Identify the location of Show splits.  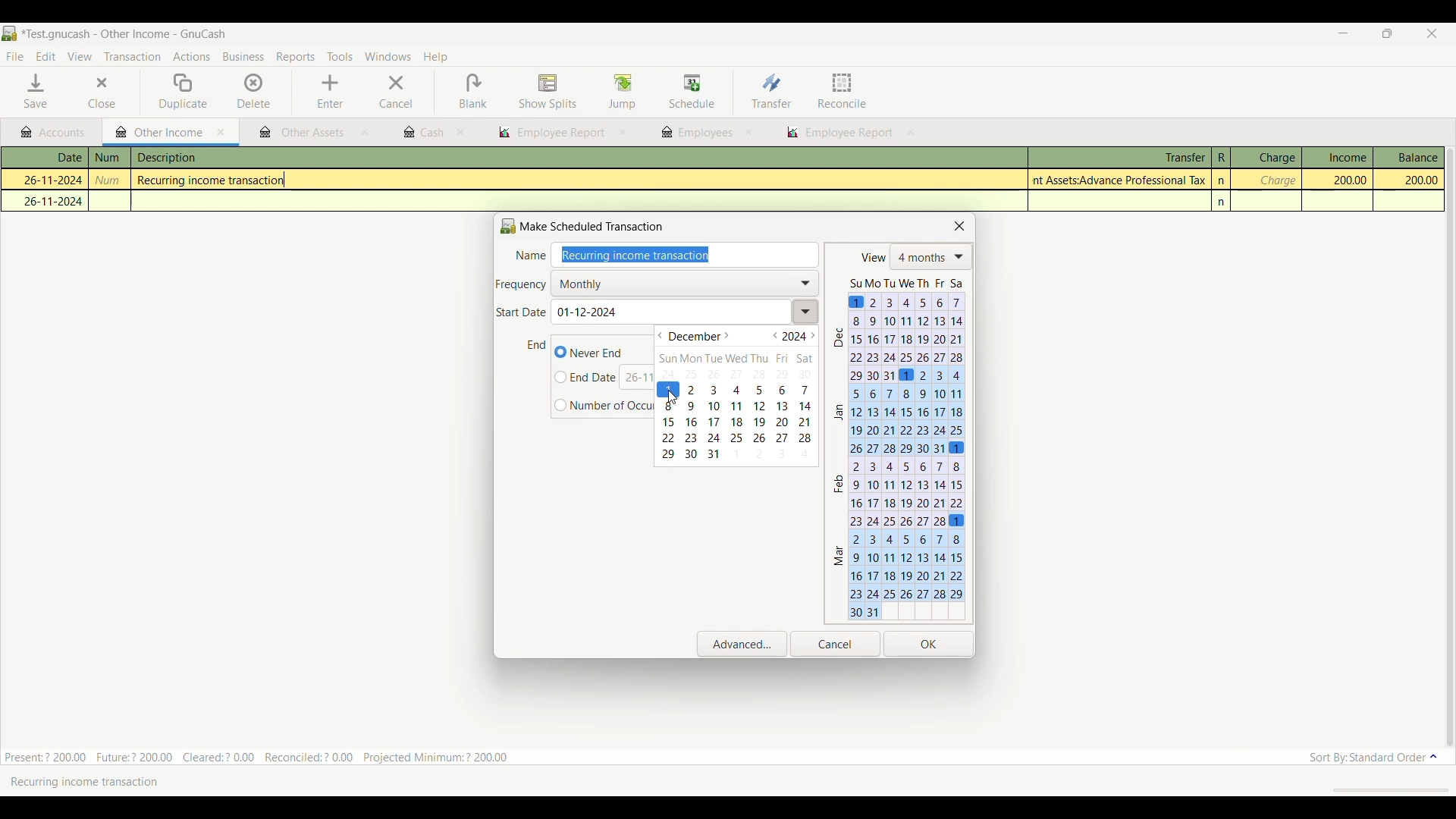
(548, 93).